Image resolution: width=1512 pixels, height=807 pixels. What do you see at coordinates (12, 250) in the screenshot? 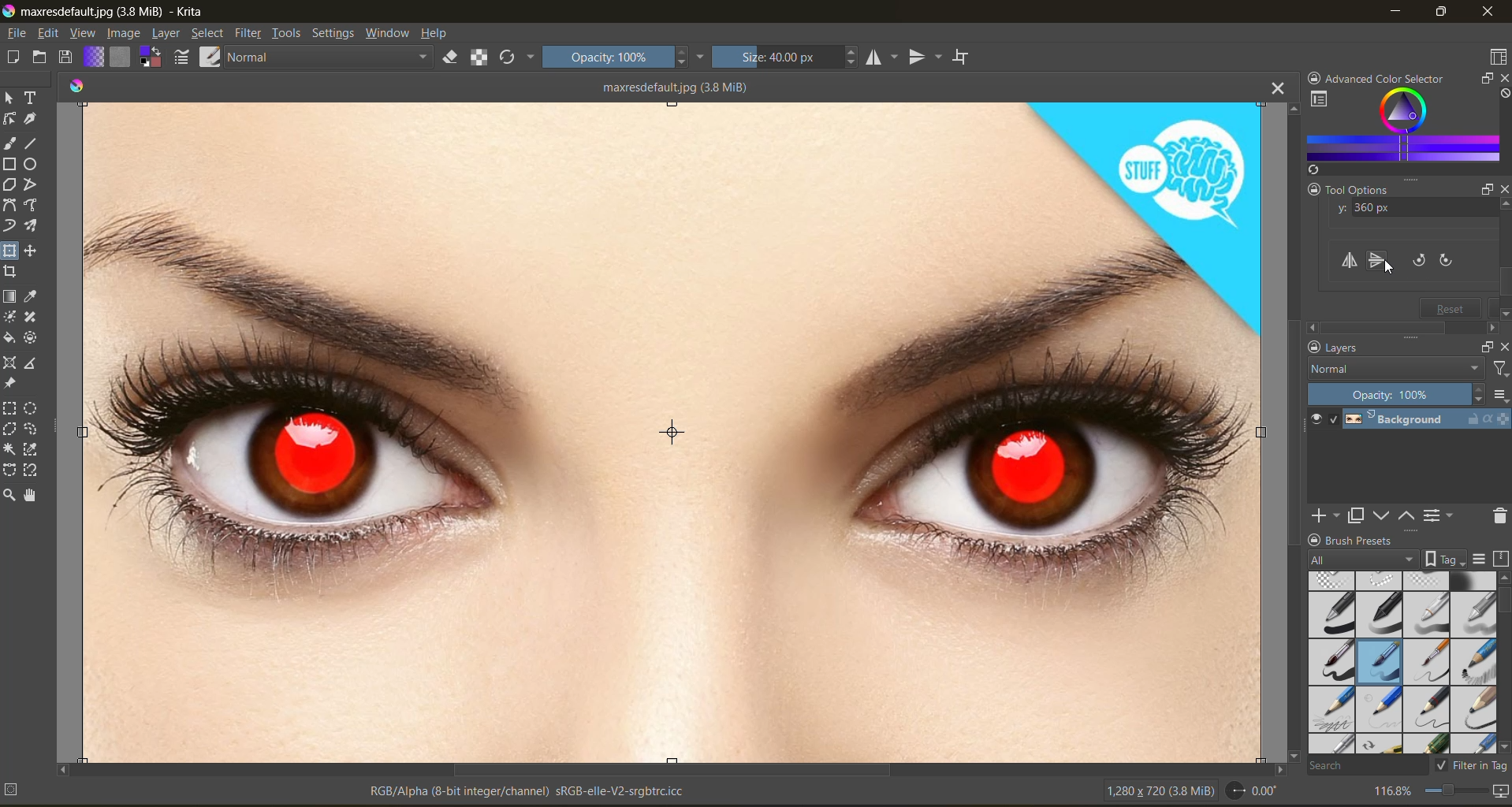
I see `tool` at bounding box center [12, 250].